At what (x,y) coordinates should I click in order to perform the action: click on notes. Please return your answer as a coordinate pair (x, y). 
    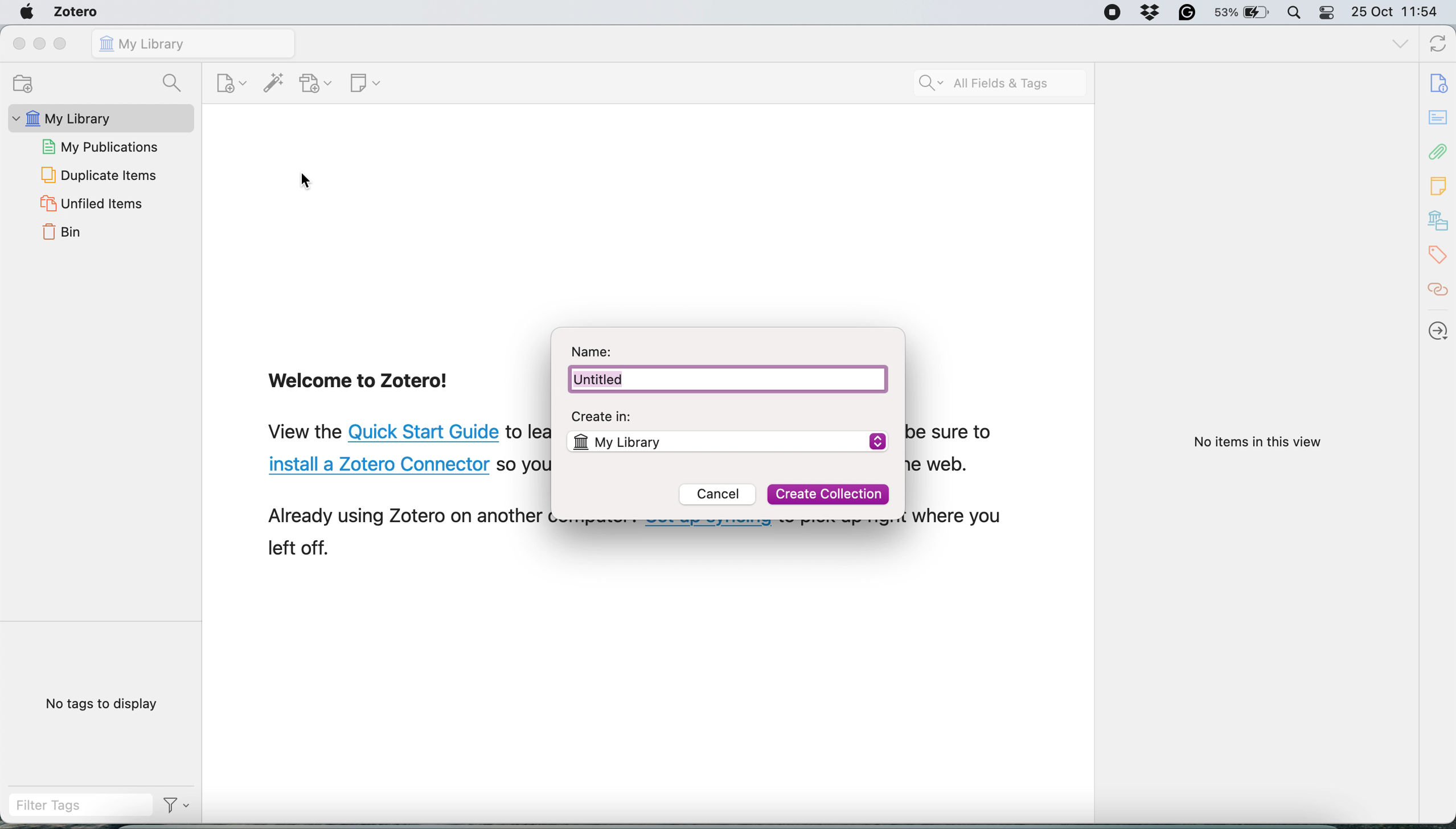
    Looking at the image, I should click on (1438, 117).